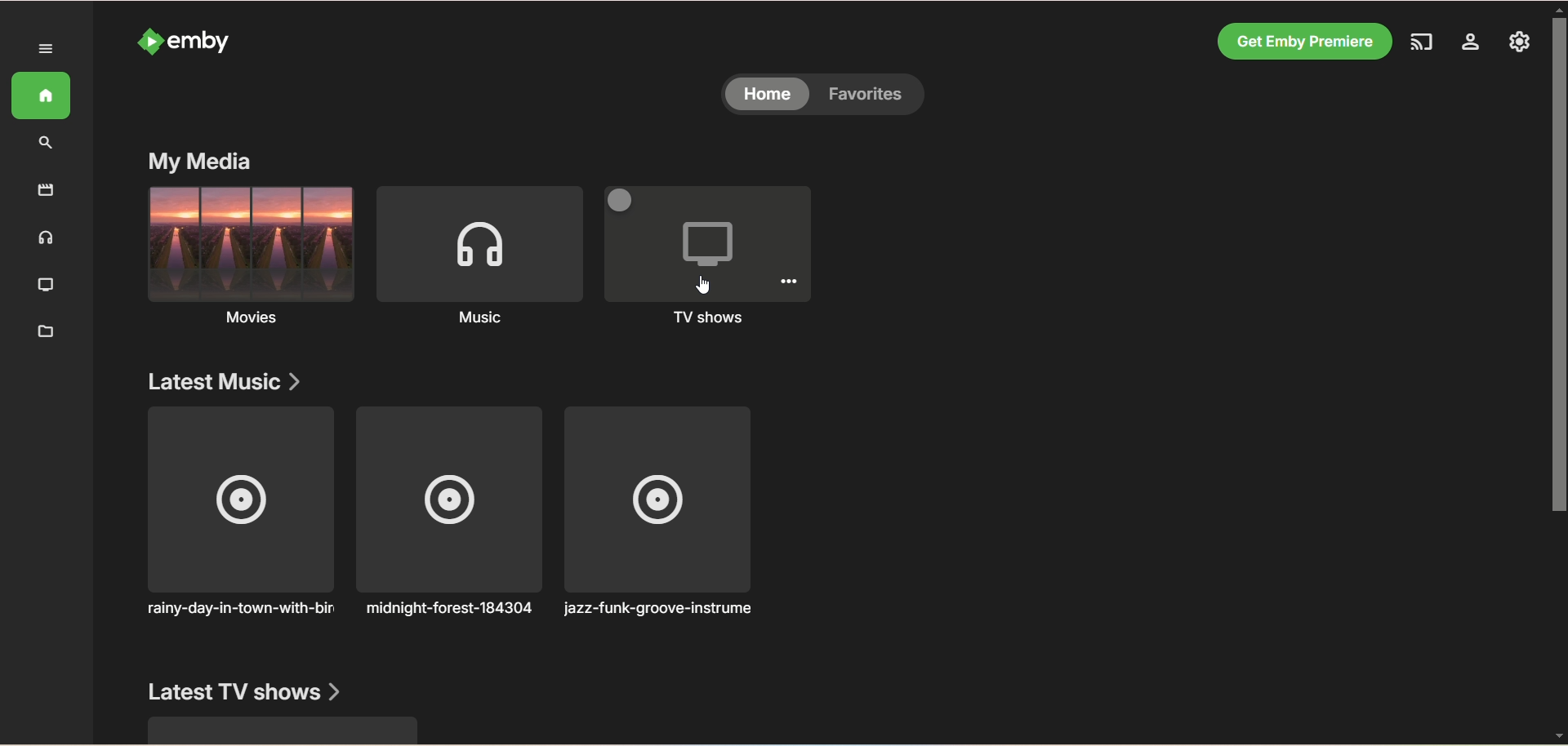 This screenshot has width=1568, height=746. I want to click on home, so click(768, 95).